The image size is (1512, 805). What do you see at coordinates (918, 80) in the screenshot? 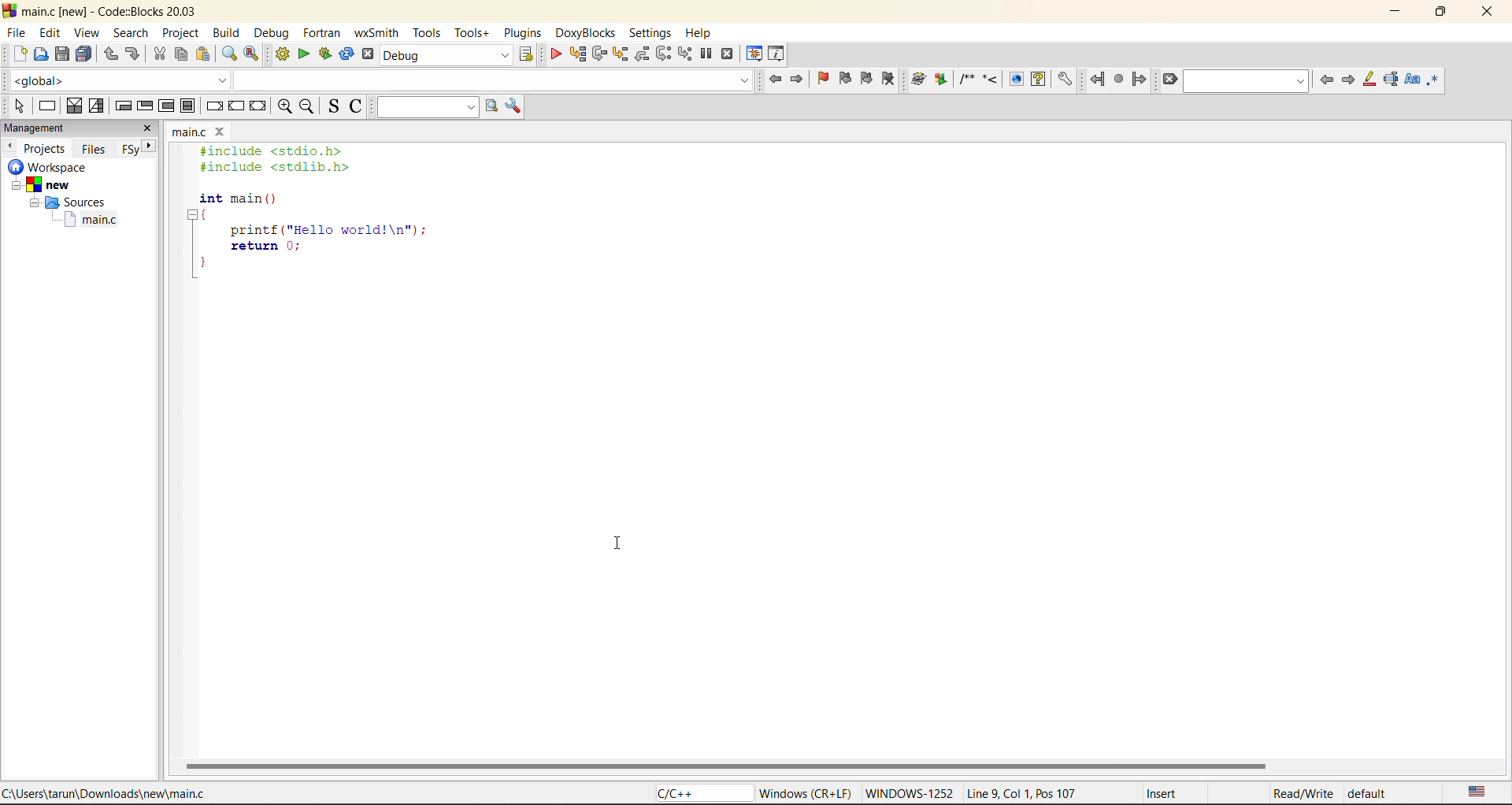
I see `Run doxywizard` at bounding box center [918, 80].